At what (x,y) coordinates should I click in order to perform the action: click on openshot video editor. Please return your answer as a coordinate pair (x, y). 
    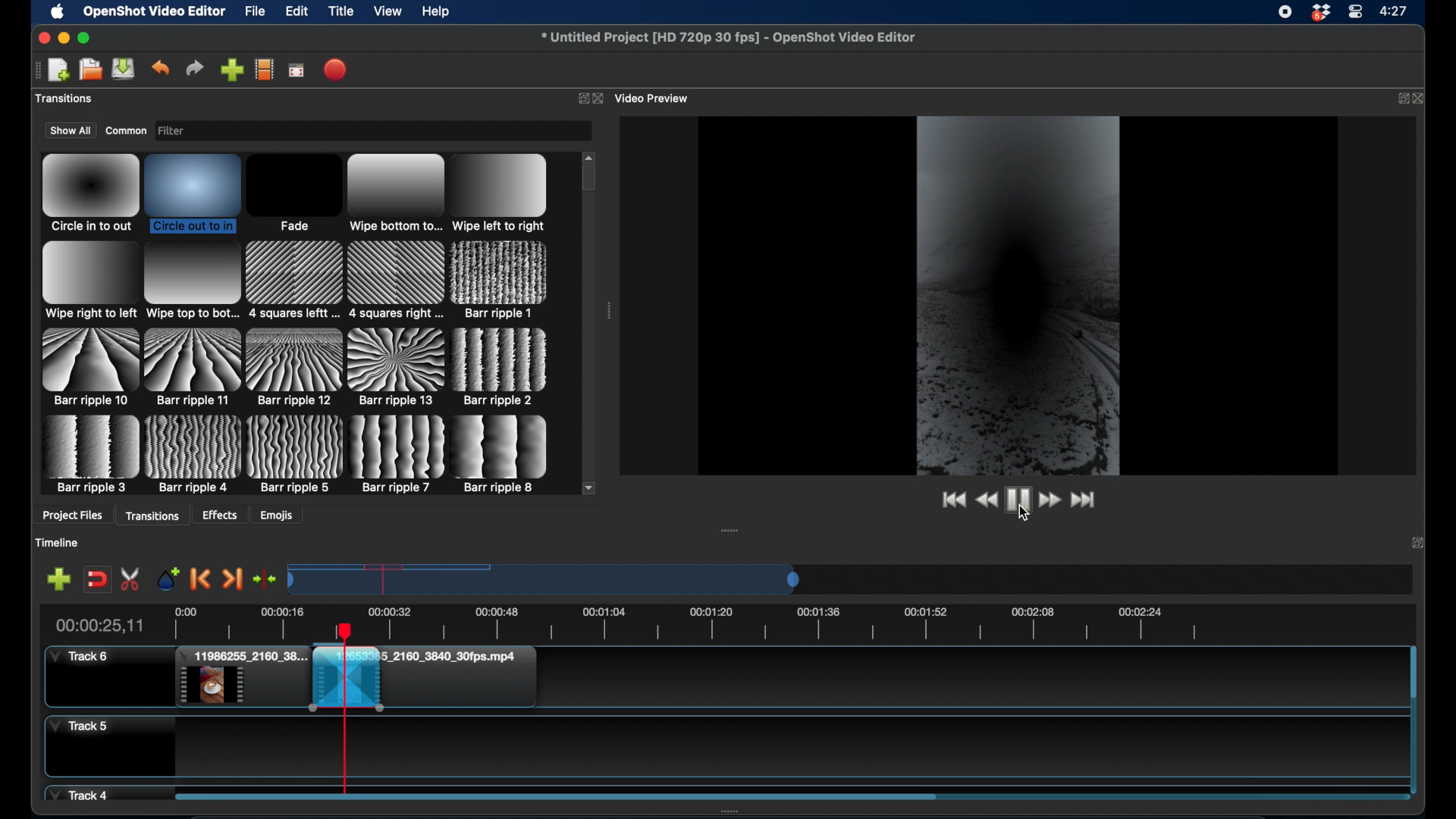
    Looking at the image, I should click on (155, 12).